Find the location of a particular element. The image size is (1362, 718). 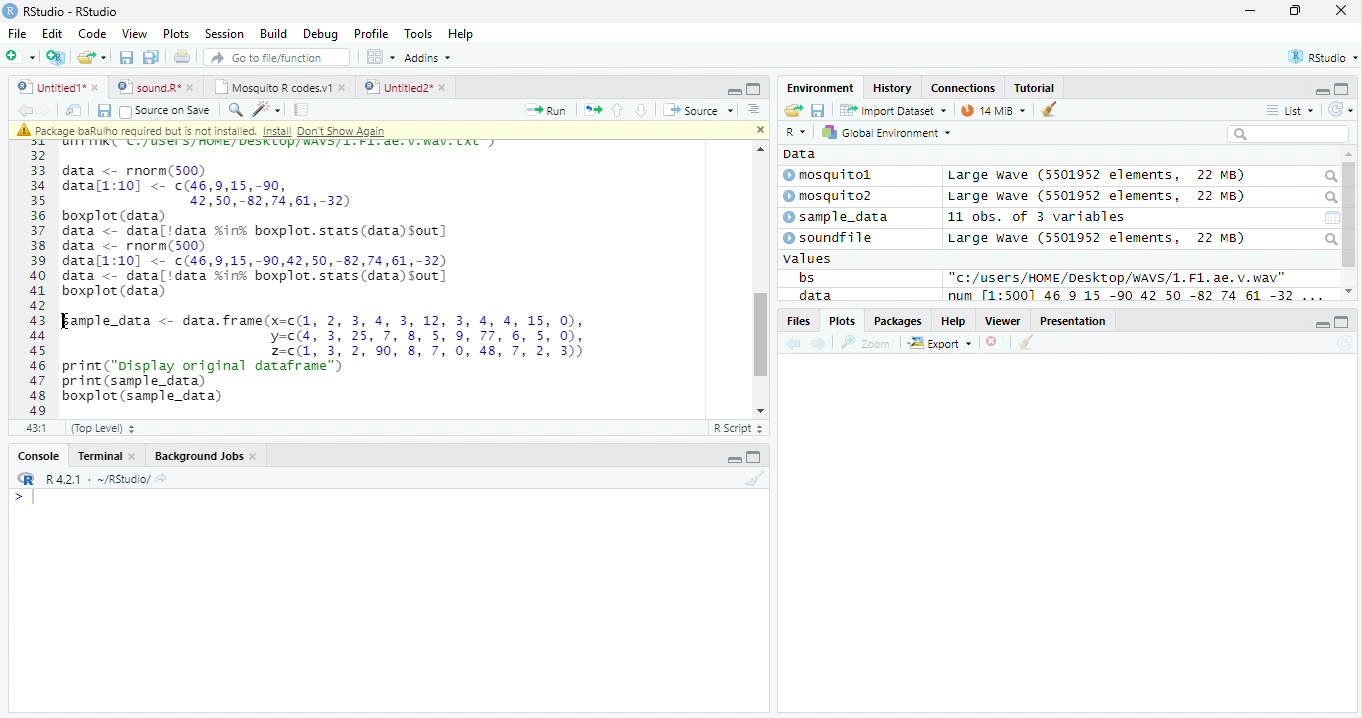

Large wave (5501952 elements, 22 MB) is located at coordinates (1100, 197).